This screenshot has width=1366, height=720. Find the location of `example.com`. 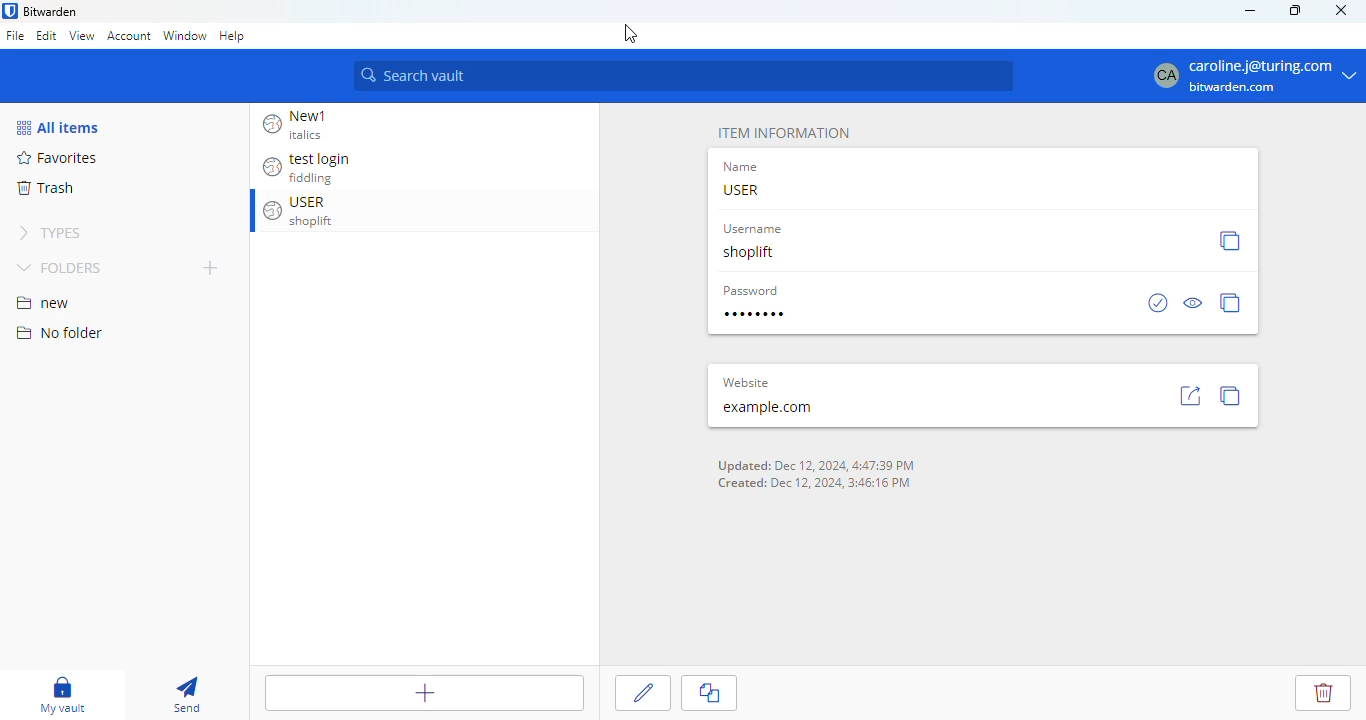

example.com is located at coordinates (766, 407).